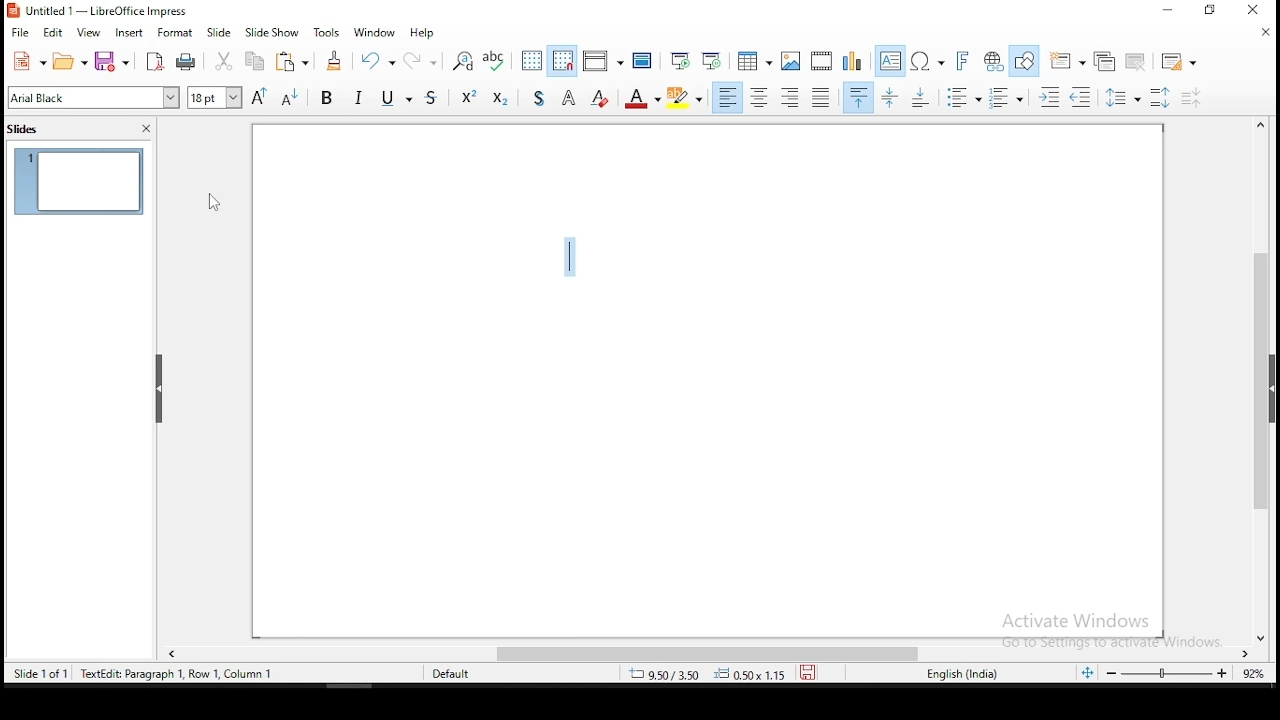  What do you see at coordinates (95, 98) in the screenshot?
I see `Arial Black` at bounding box center [95, 98].